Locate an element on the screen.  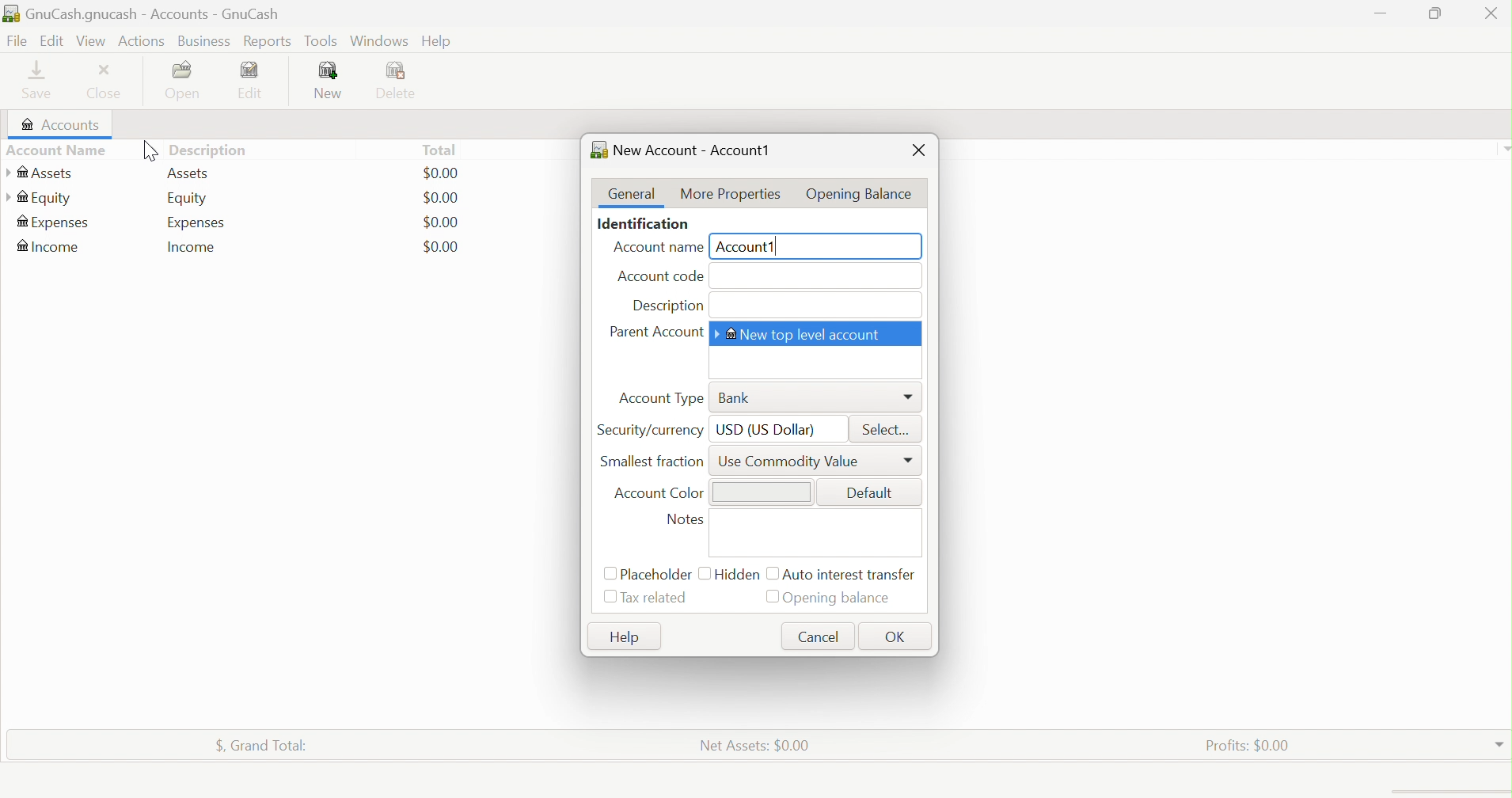
$0.00 is located at coordinates (441, 246).